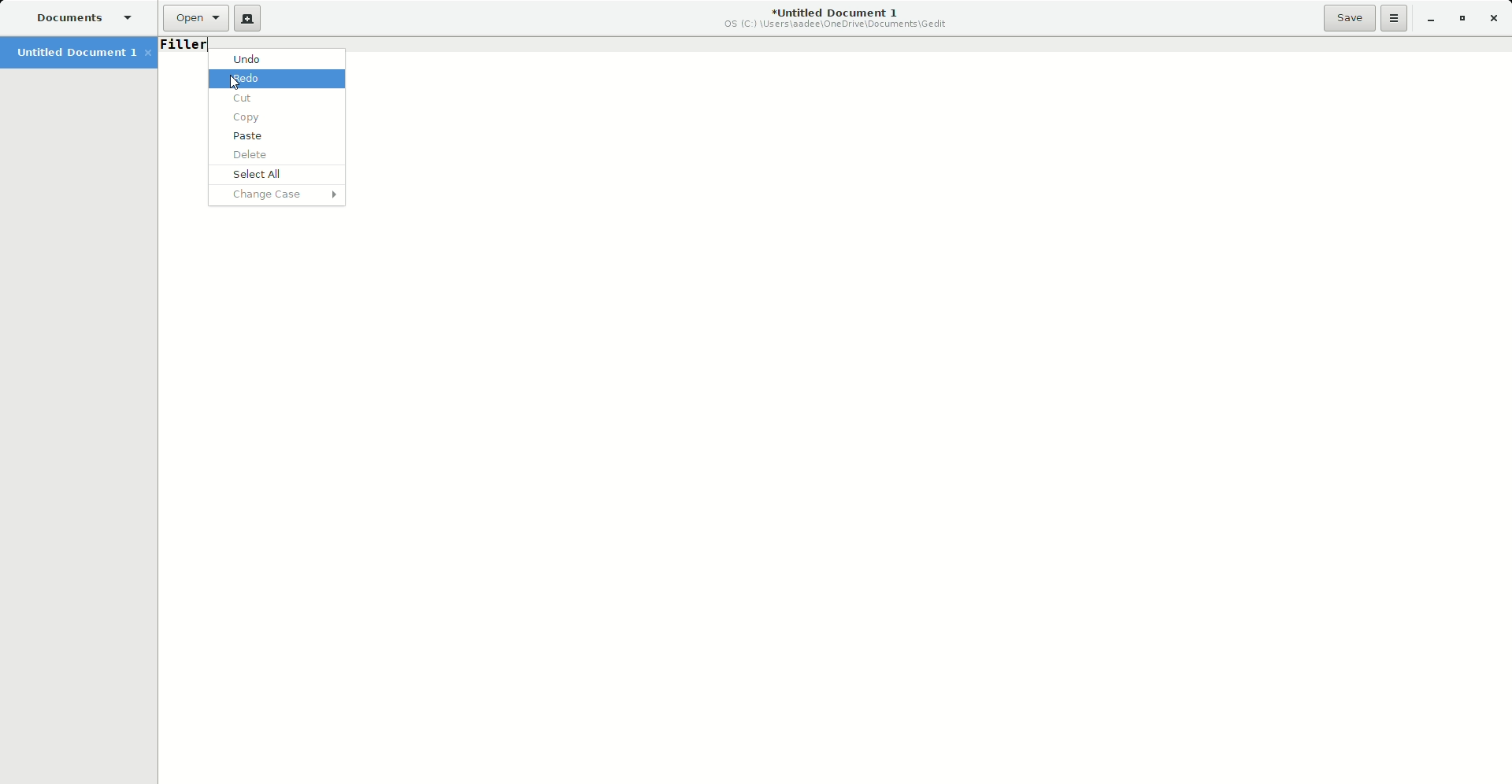 Image resolution: width=1512 pixels, height=784 pixels. Describe the element at coordinates (279, 120) in the screenshot. I see `Copy` at that location.